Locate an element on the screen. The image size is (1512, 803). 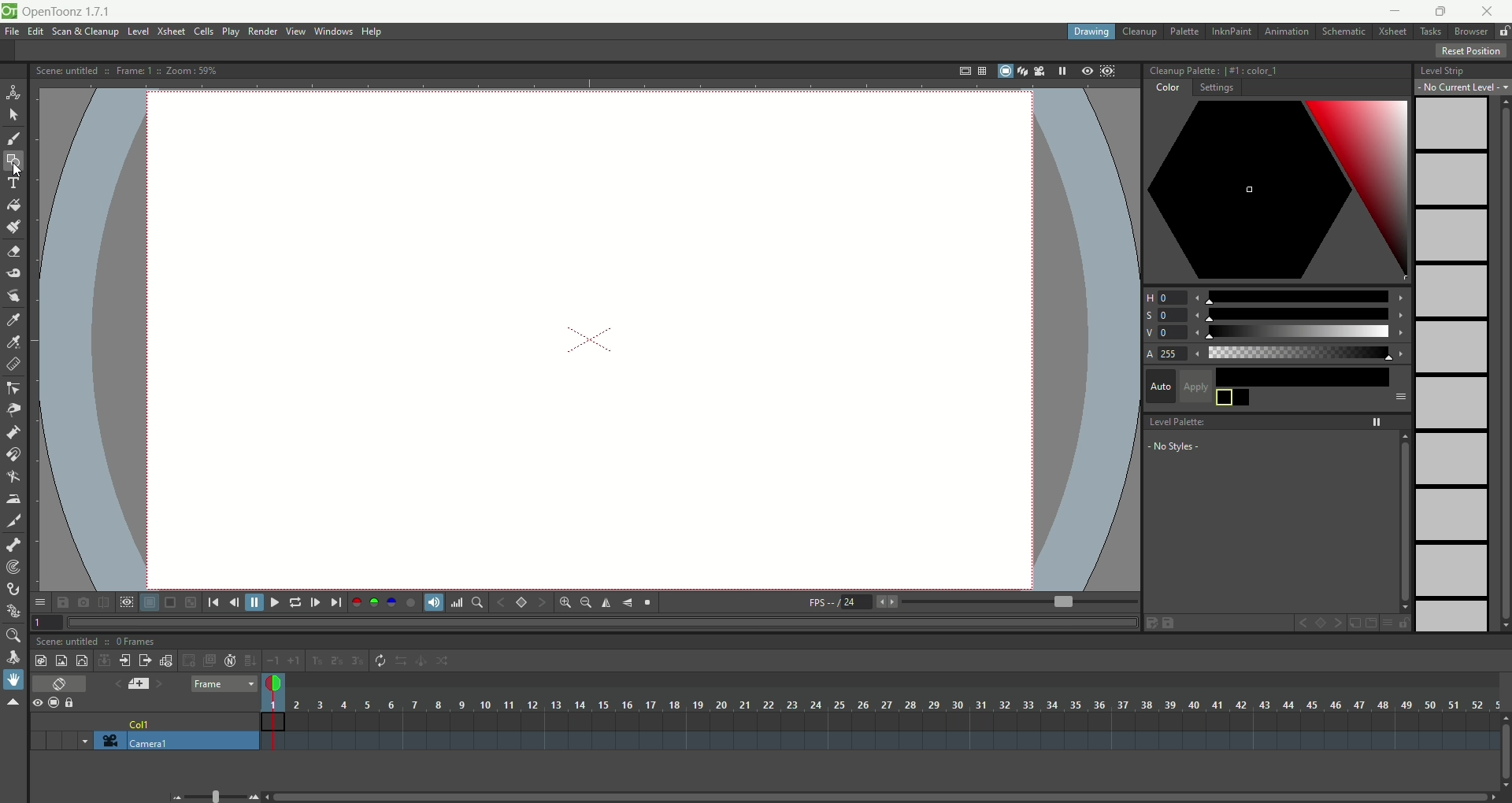
vertical scroll bar is located at coordinates (1501, 364).